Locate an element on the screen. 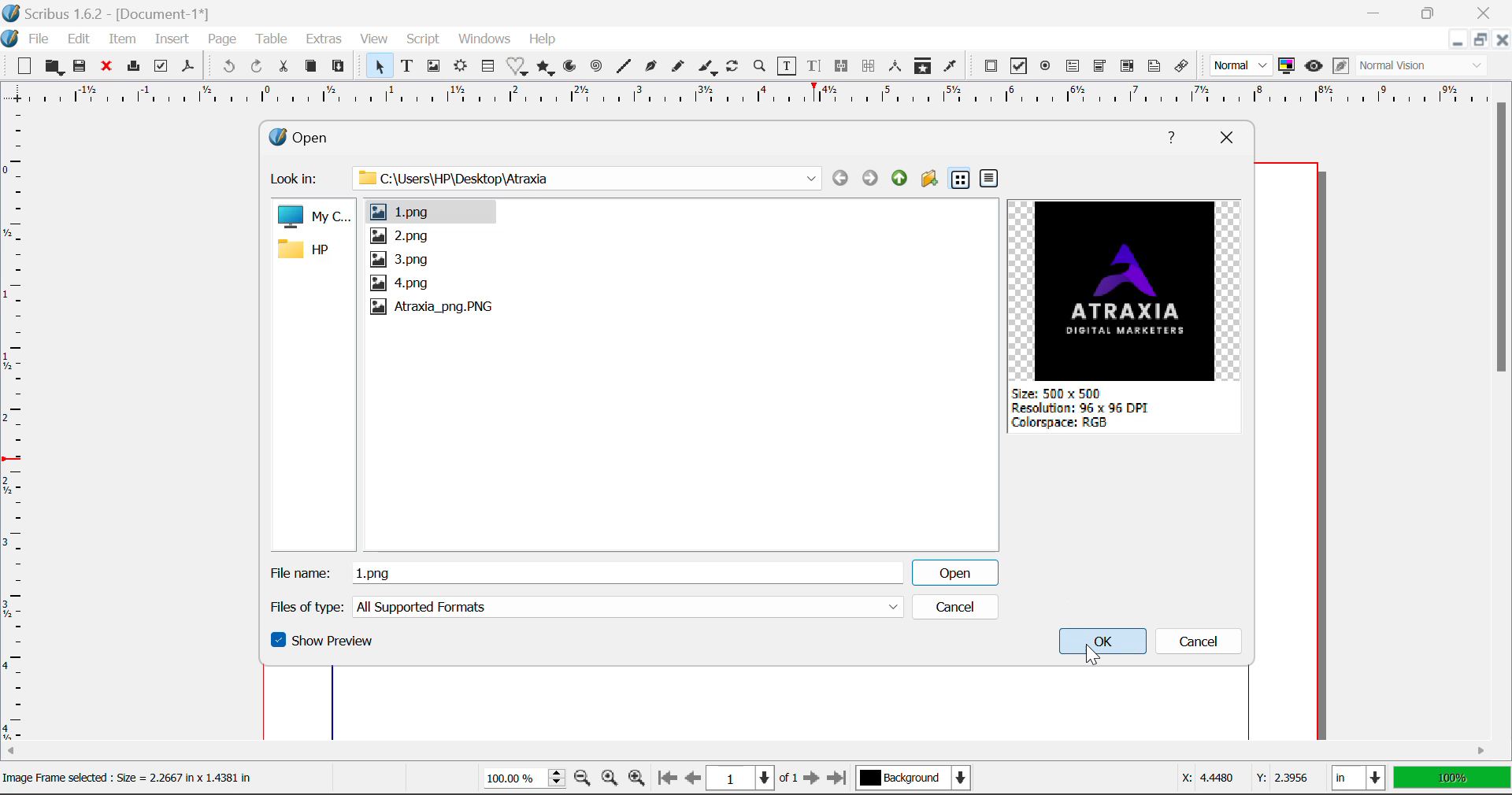  Navigation is located at coordinates (899, 178).